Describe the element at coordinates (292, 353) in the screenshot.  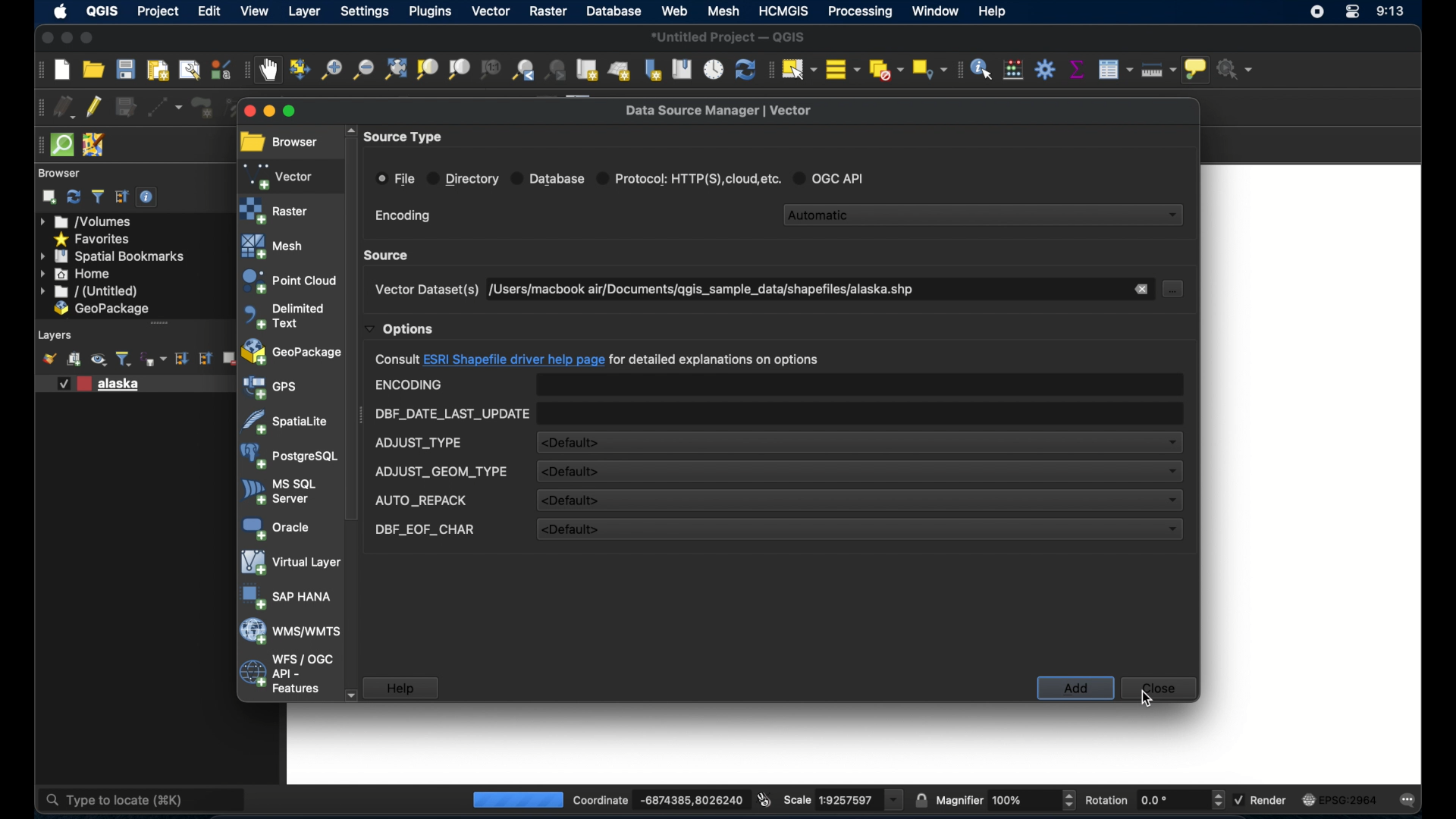
I see `geopackage` at that location.